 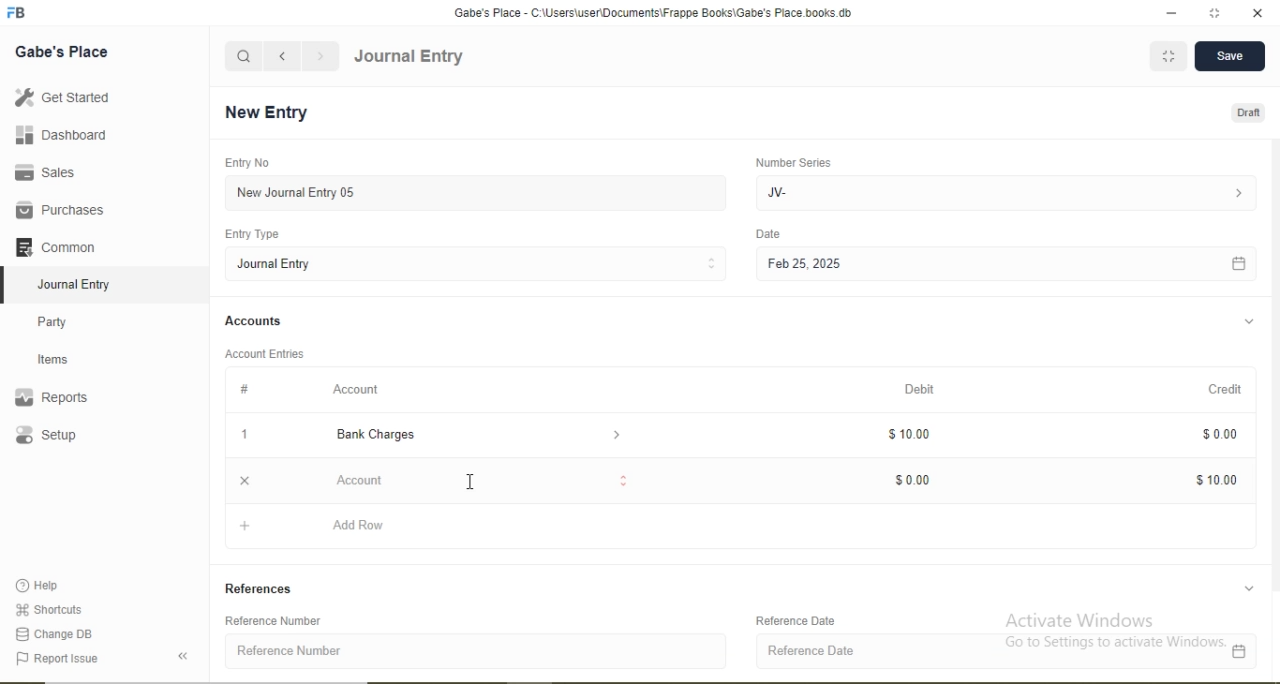 What do you see at coordinates (745, 528) in the screenshot?
I see `+ Add Row` at bounding box center [745, 528].